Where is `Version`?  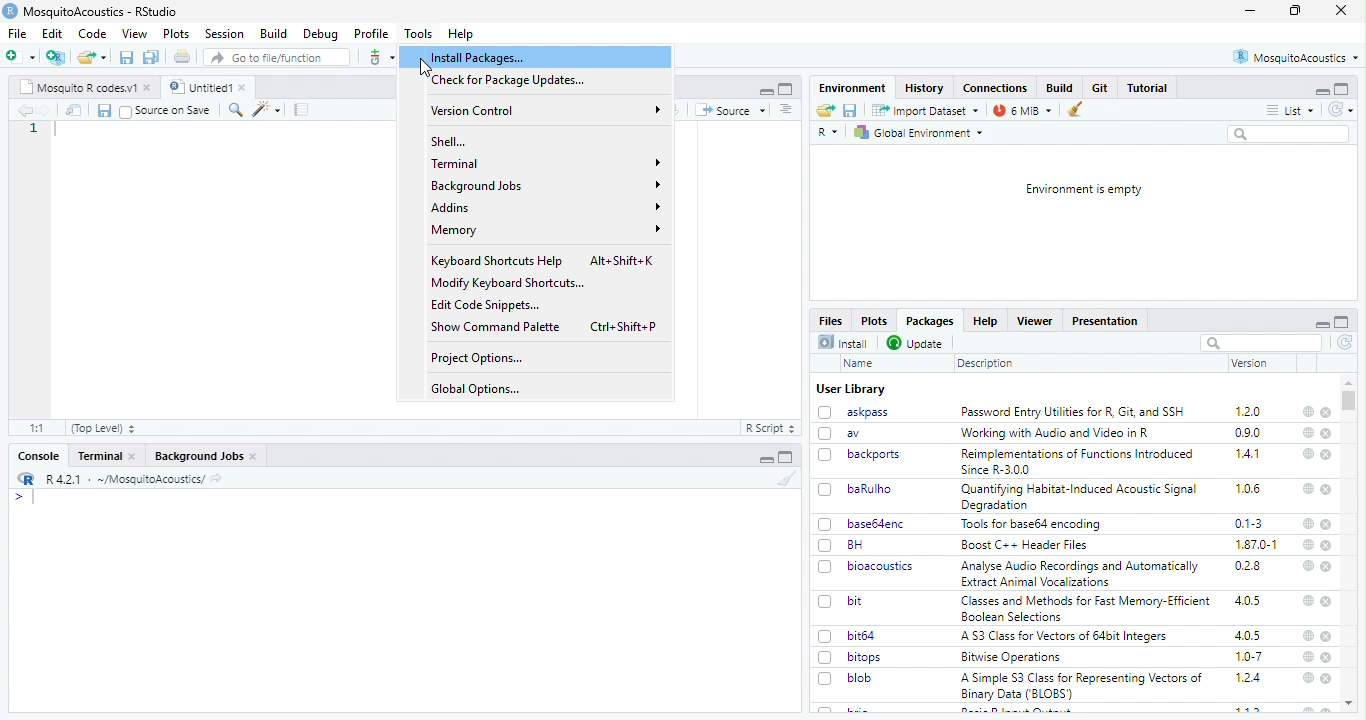 Version is located at coordinates (1251, 363).